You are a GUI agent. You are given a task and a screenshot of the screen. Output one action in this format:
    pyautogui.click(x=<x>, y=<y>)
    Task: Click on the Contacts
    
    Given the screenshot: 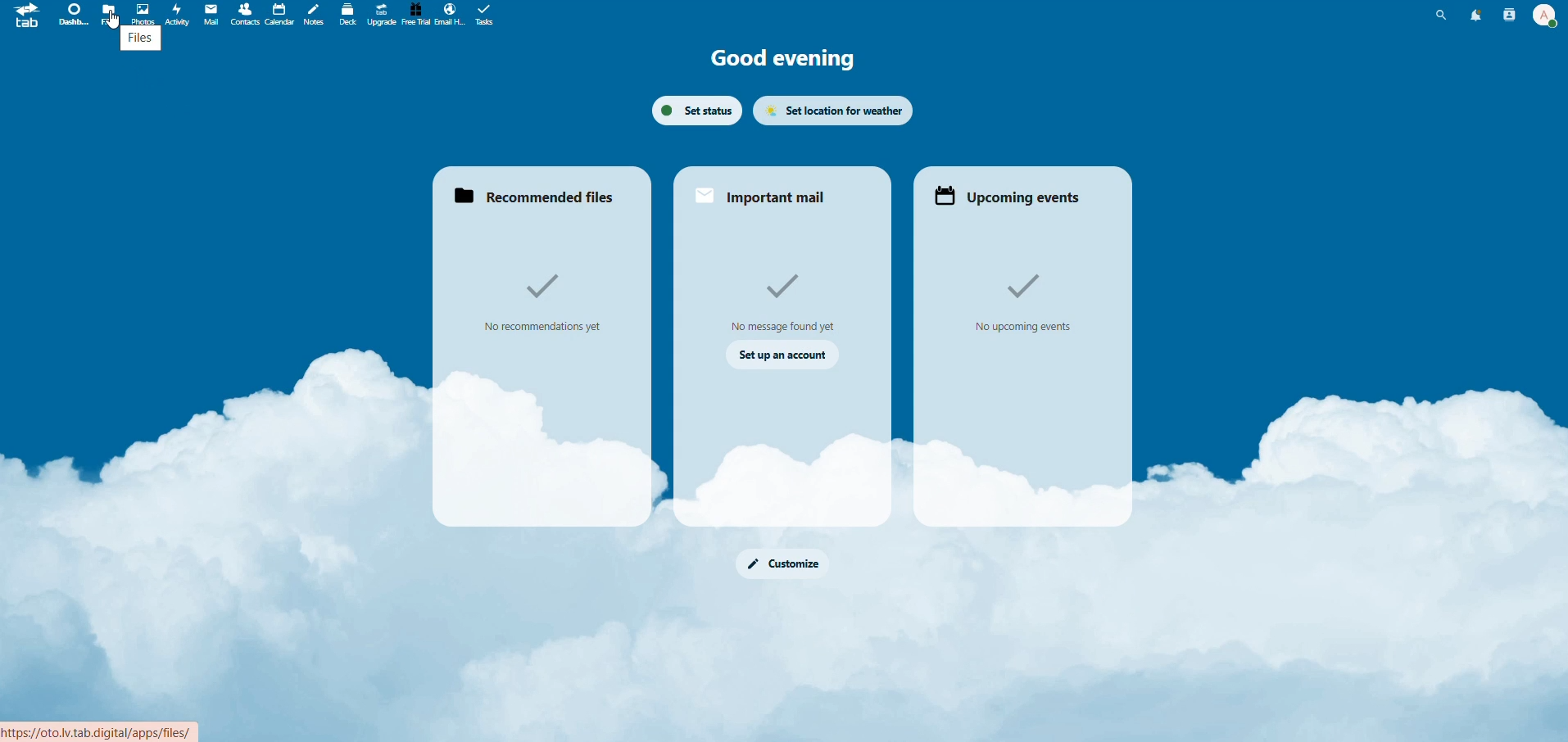 What is the action you would take?
    pyautogui.click(x=243, y=14)
    